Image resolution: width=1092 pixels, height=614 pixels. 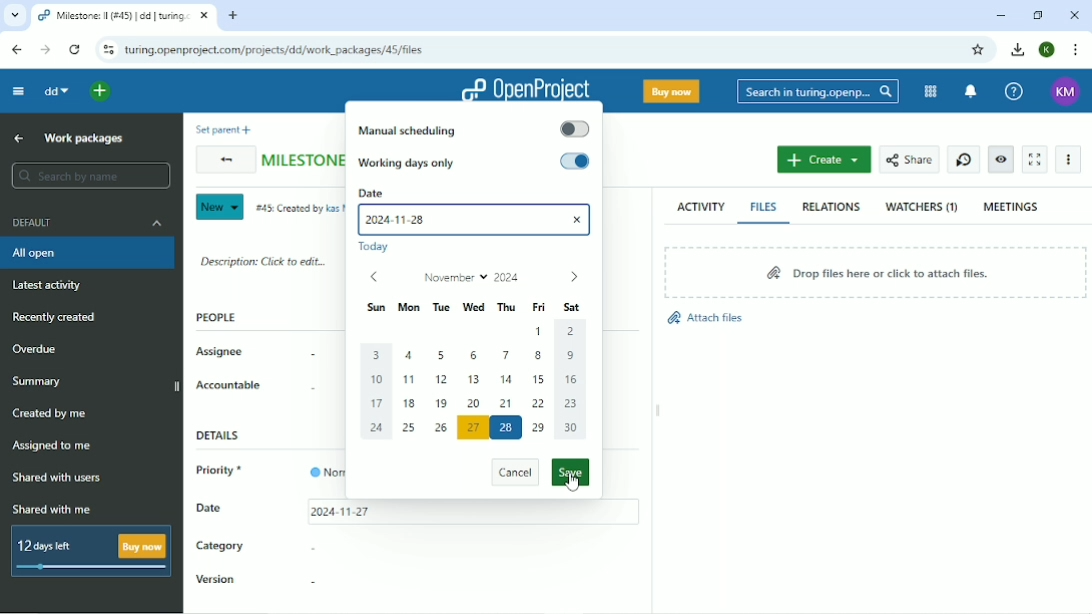 I want to click on Date, so click(x=476, y=192).